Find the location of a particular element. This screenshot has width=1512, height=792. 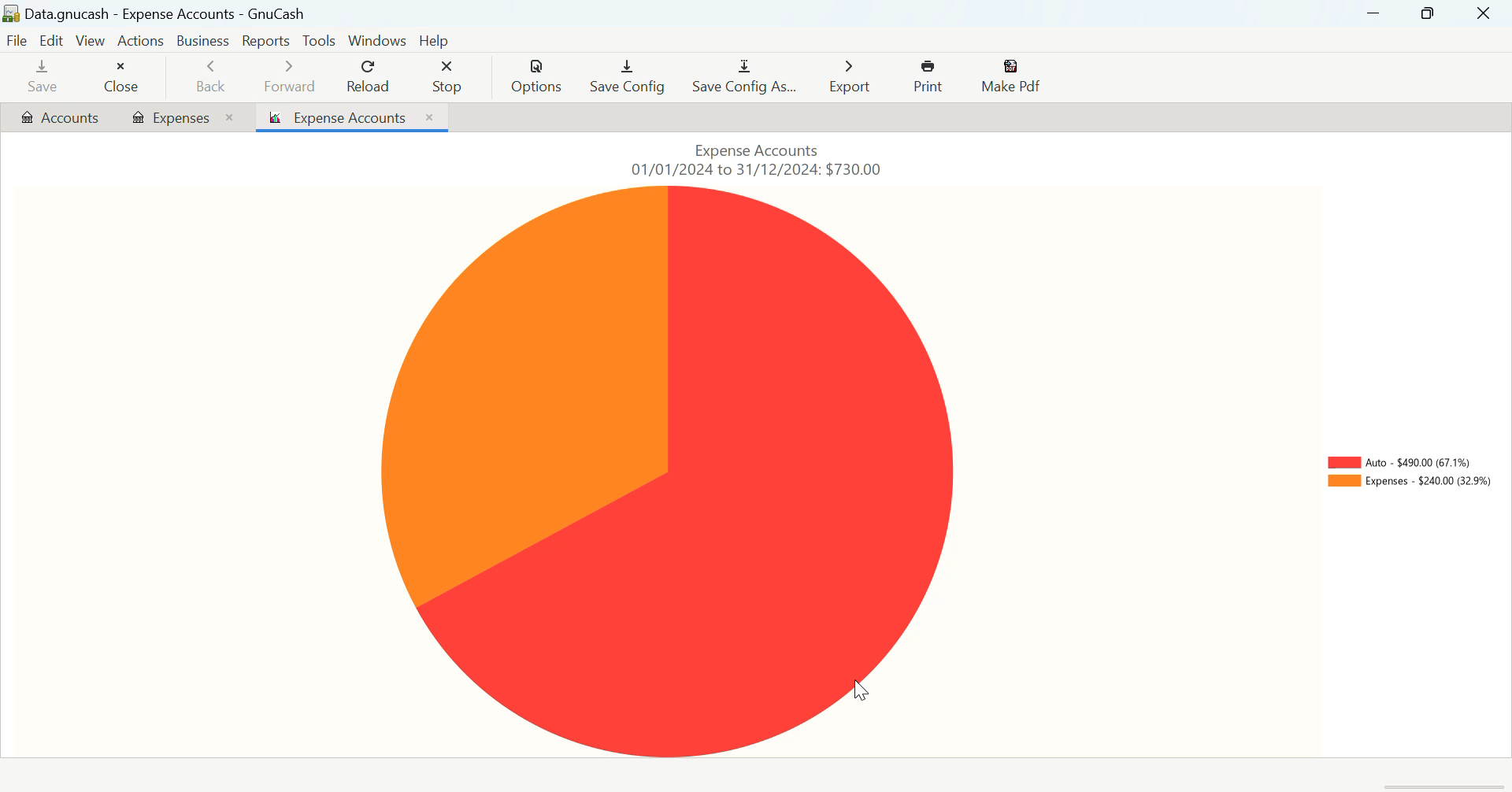

Expense Accounts 01/01/2024 to 31/12/2024: $730.00 is located at coordinates (765, 158).